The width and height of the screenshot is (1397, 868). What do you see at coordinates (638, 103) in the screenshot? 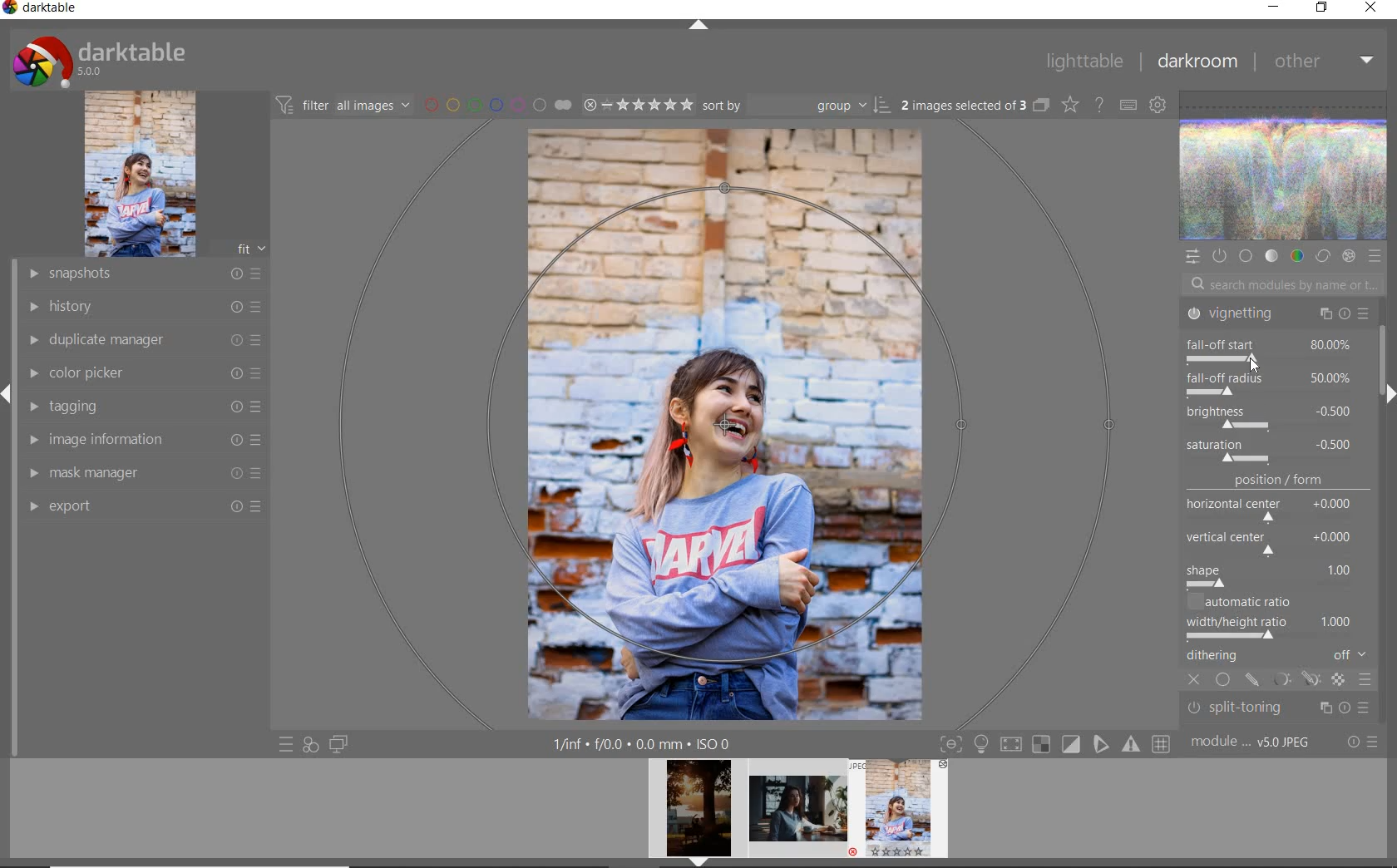
I see `SELECTED IMAGE RANGE RATING` at bounding box center [638, 103].